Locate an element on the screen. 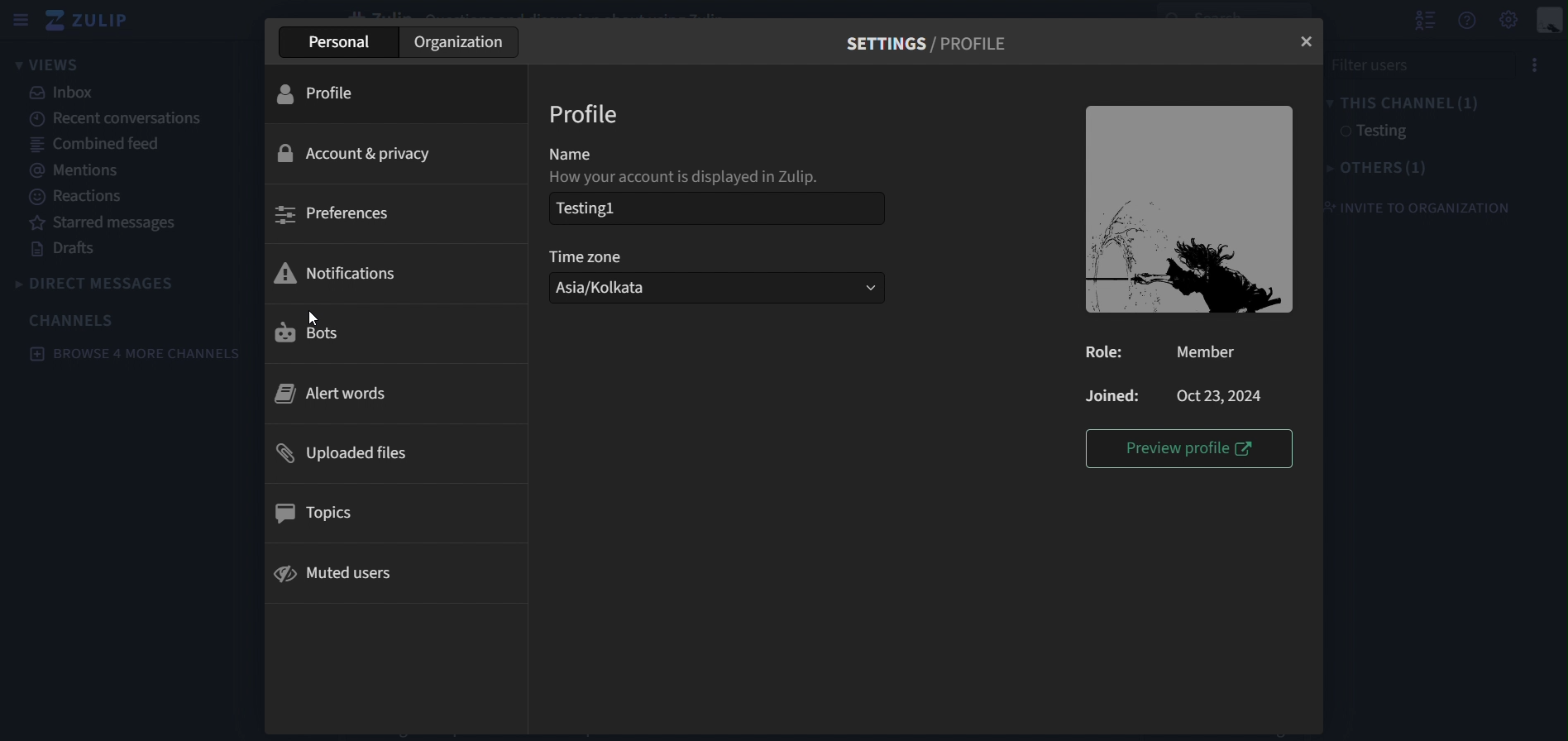 This screenshot has height=741, width=1568. reactions is located at coordinates (83, 197).